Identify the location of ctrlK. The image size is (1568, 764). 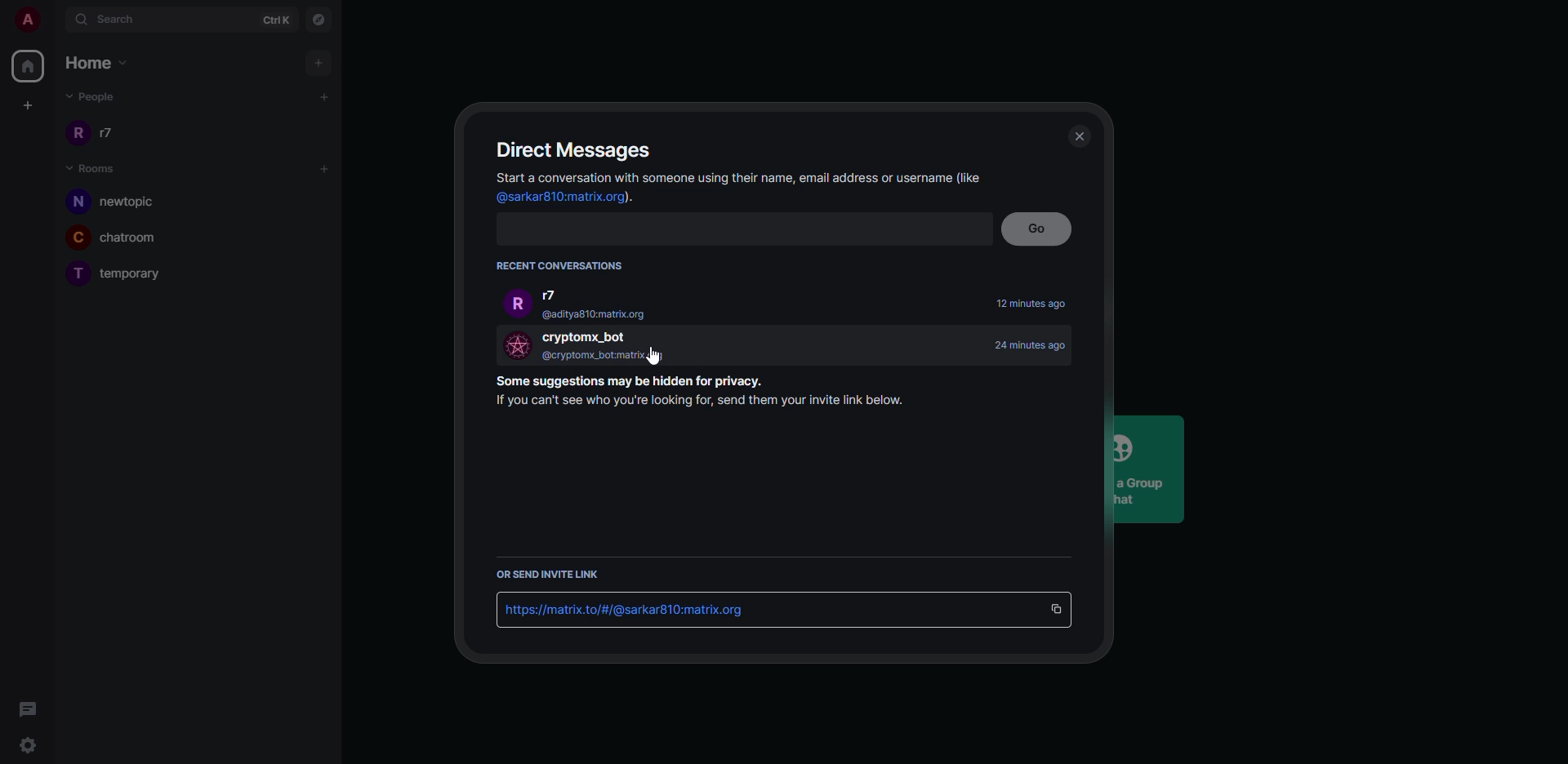
(276, 20).